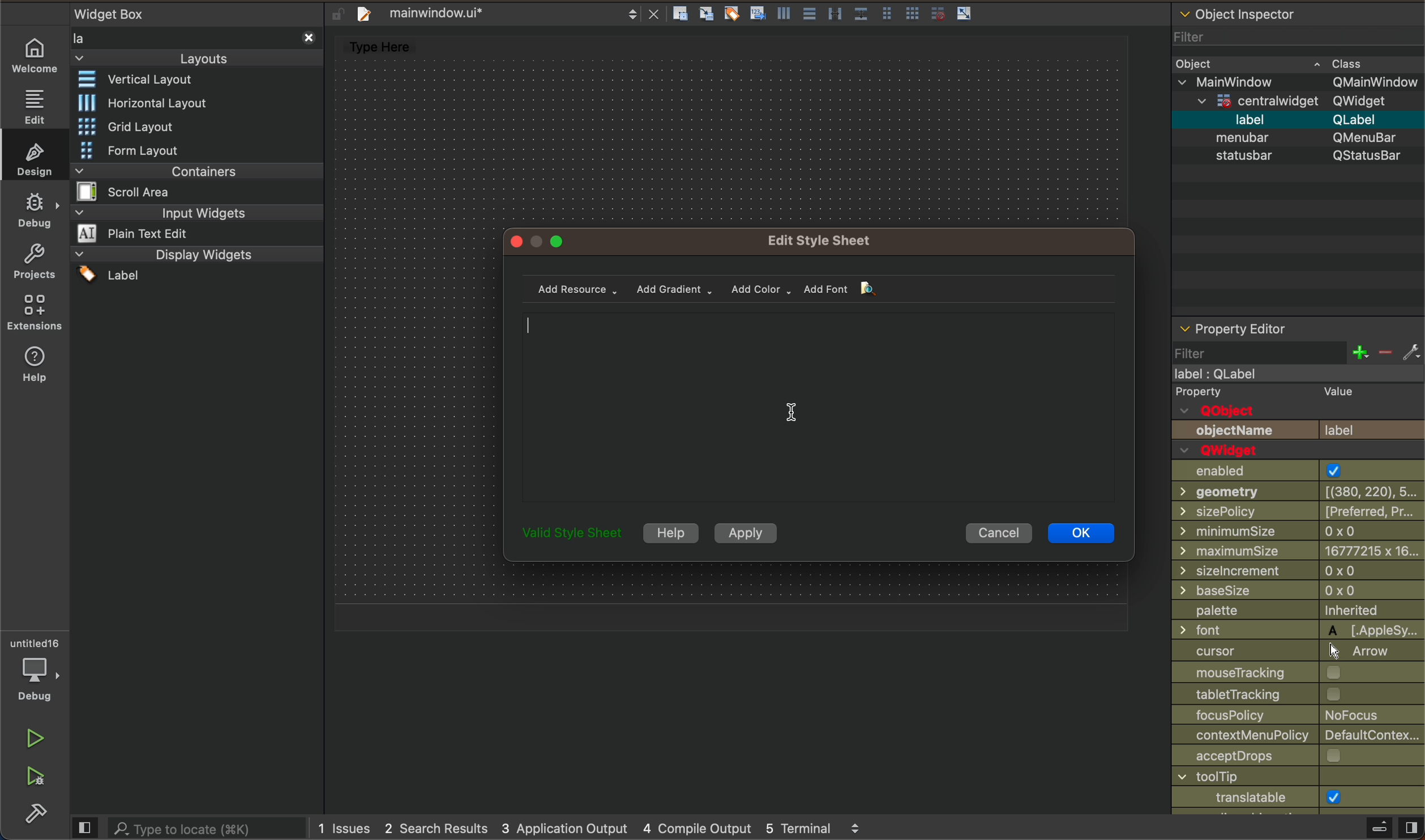 The image size is (1425, 840). I want to click on widget layout, so click(147, 82).